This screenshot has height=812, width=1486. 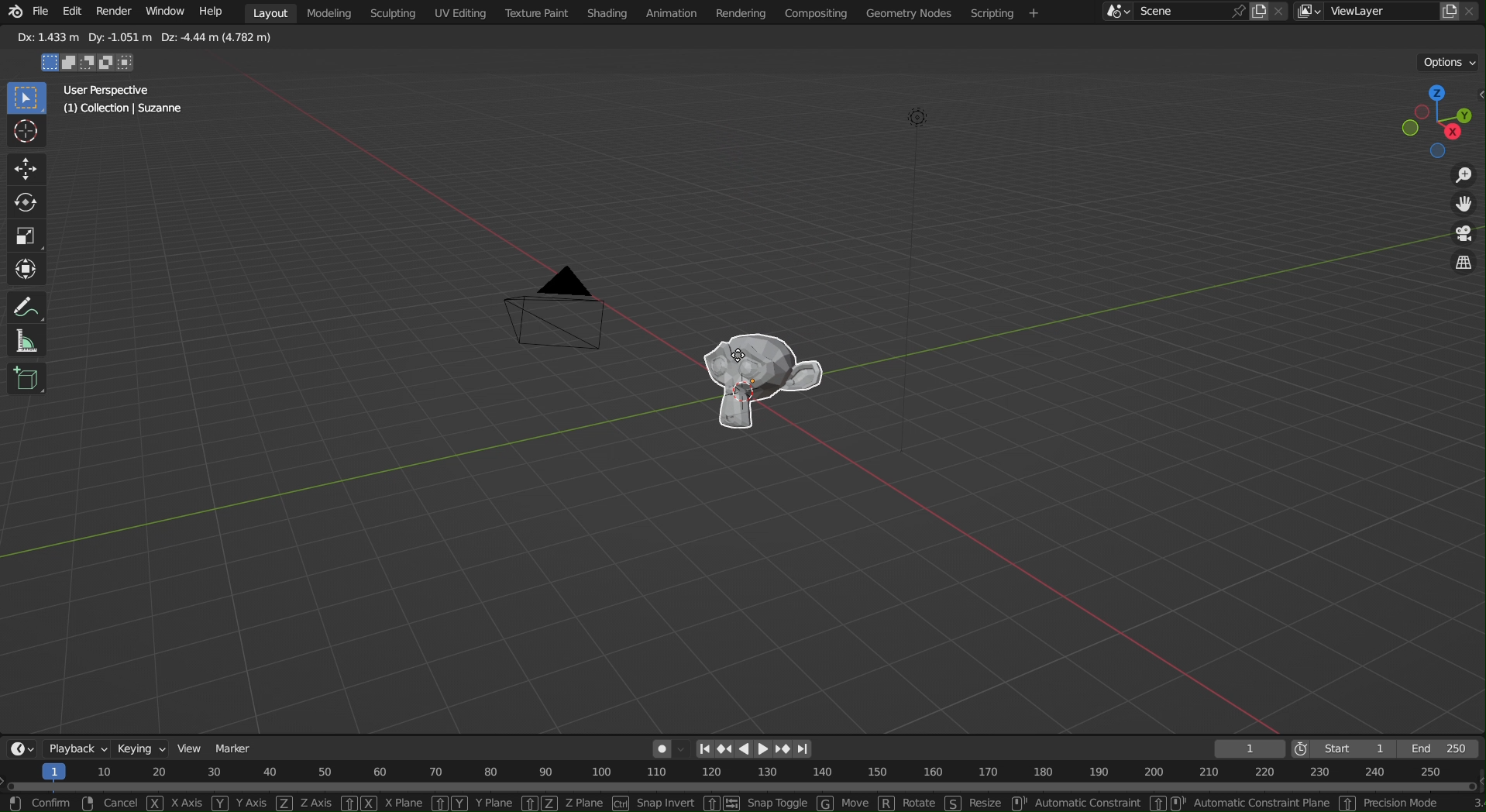 What do you see at coordinates (221, 803) in the screenshot?
I see `Y` at bounding box center [221, 803].